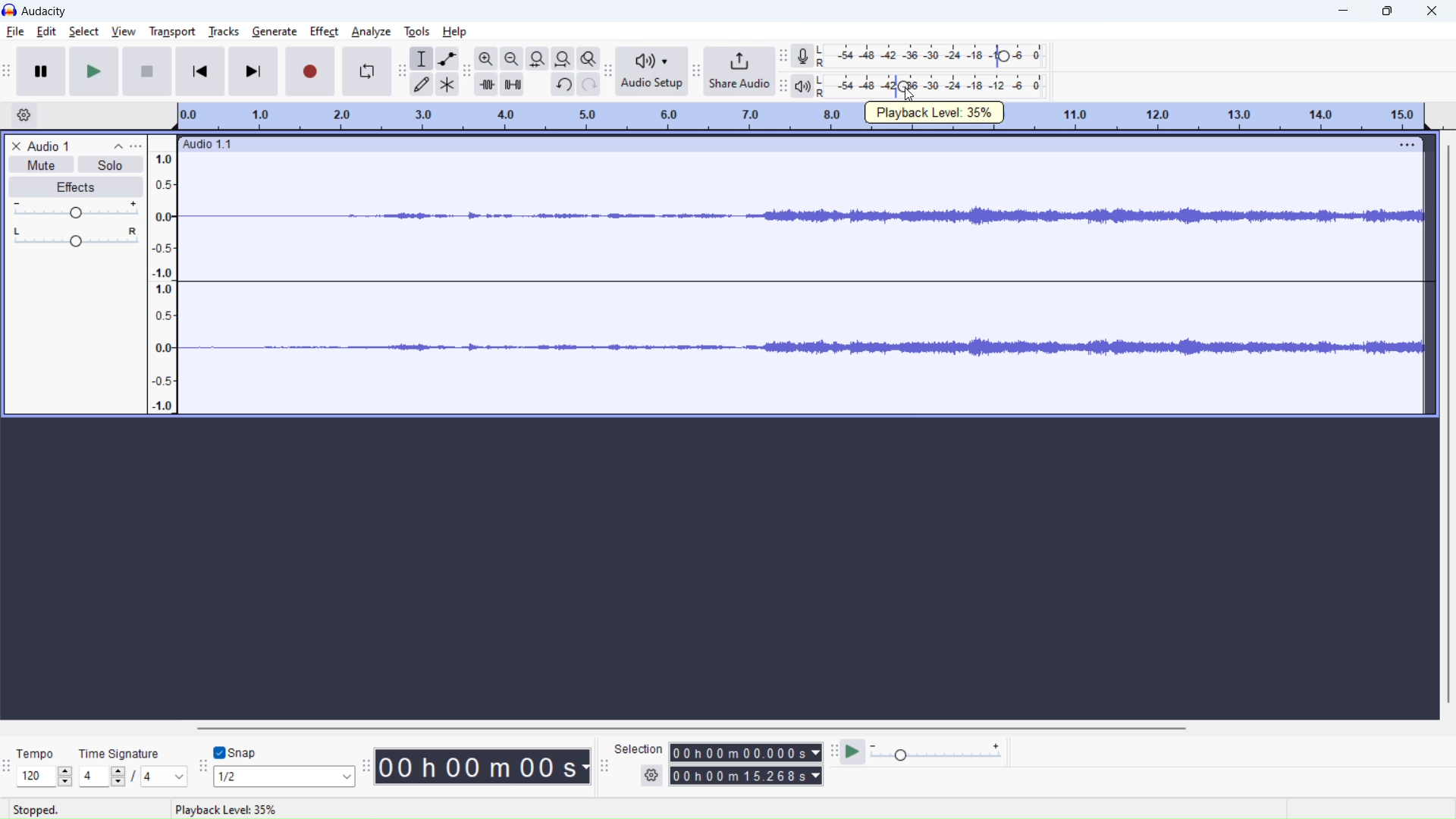 This screenshot has height=819, width=1456. I want to click on redo, so click(588, 84).